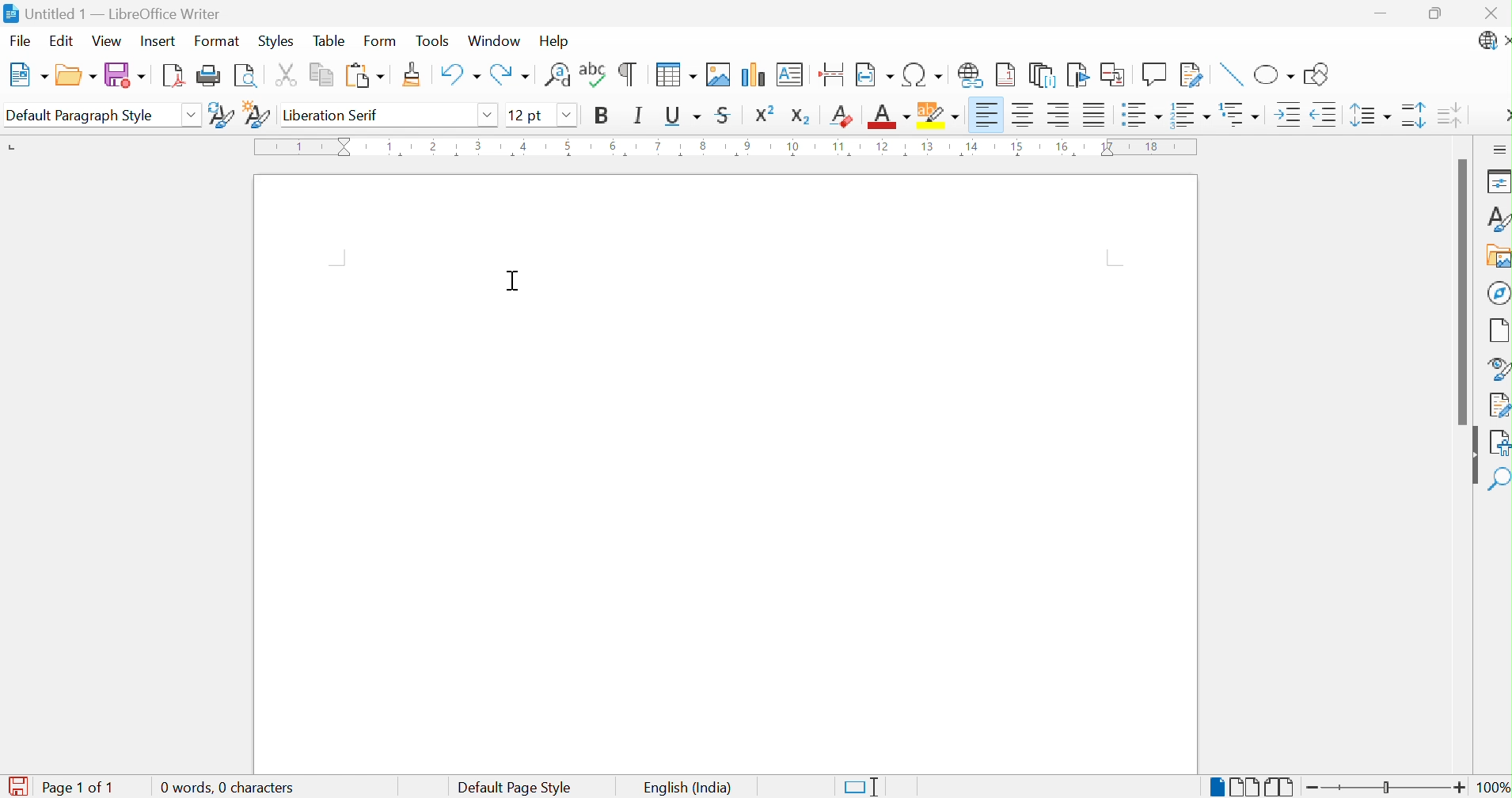  I want to click on Save, so click(124, 75).